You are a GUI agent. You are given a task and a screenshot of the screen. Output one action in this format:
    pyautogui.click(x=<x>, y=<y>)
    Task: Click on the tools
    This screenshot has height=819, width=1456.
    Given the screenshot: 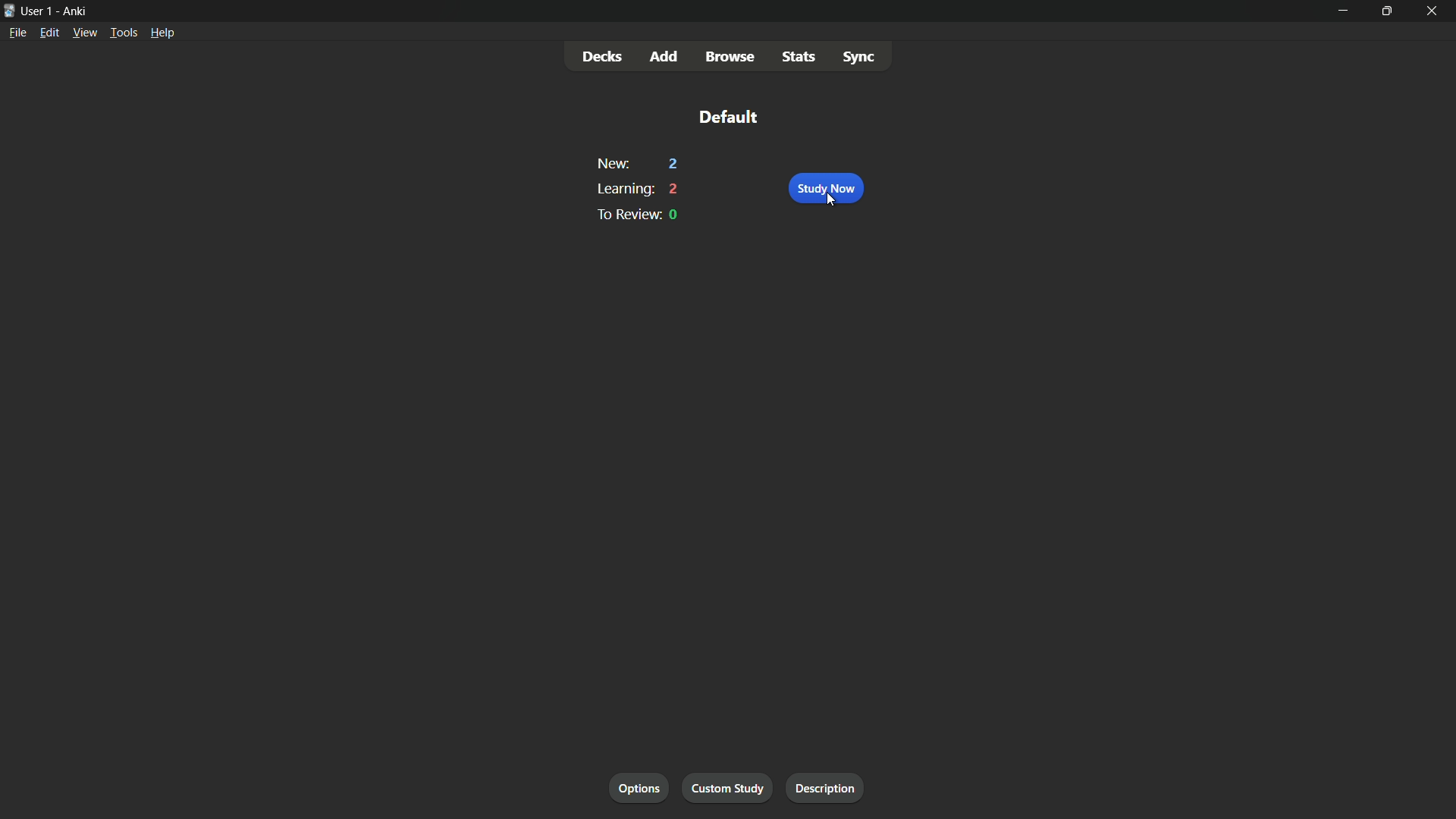 What is the action you would take?
    pyautogui.click(x=124, y=33)
    